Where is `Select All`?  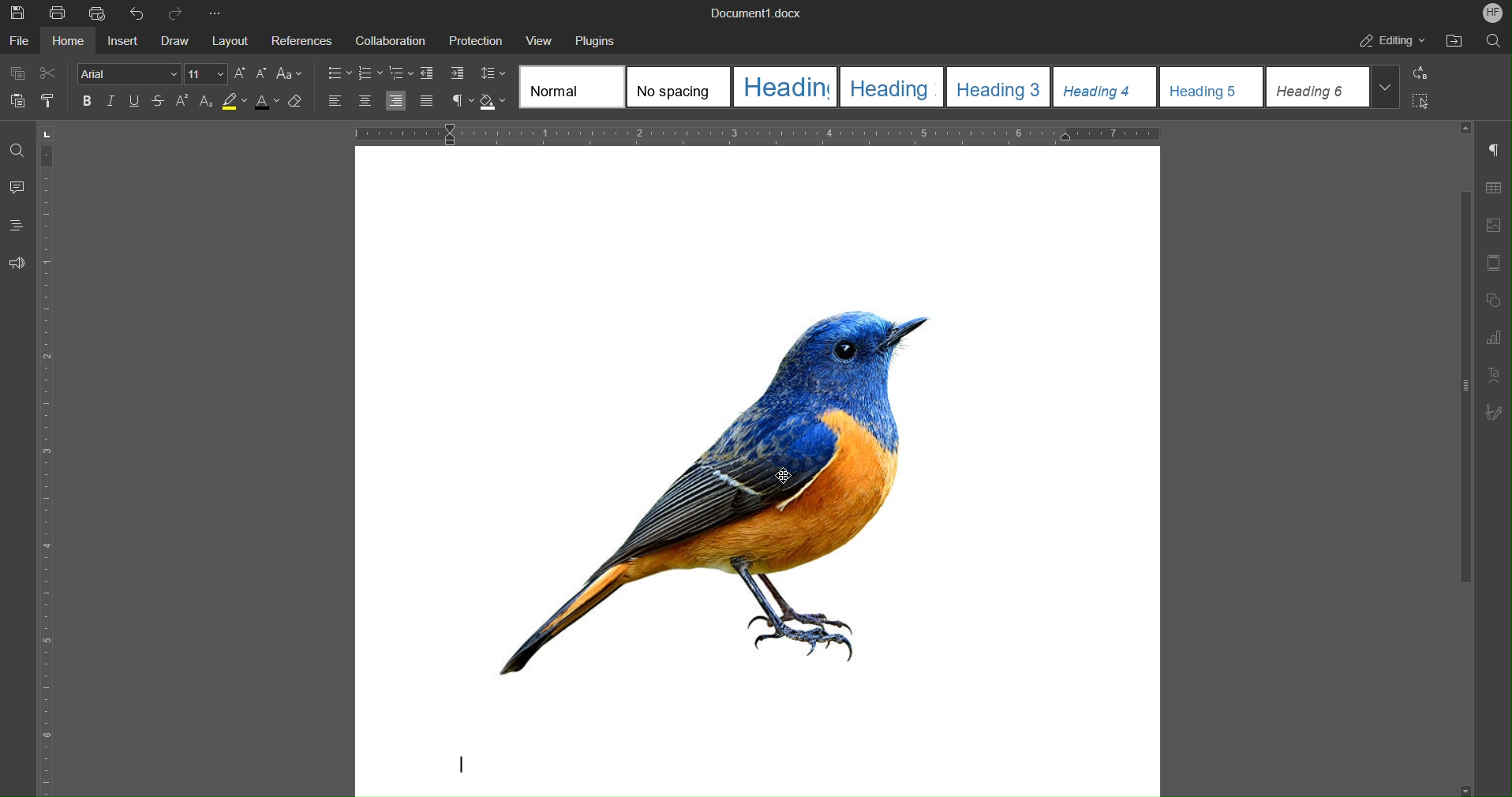
Select All is located at coordinates (1417, 101).